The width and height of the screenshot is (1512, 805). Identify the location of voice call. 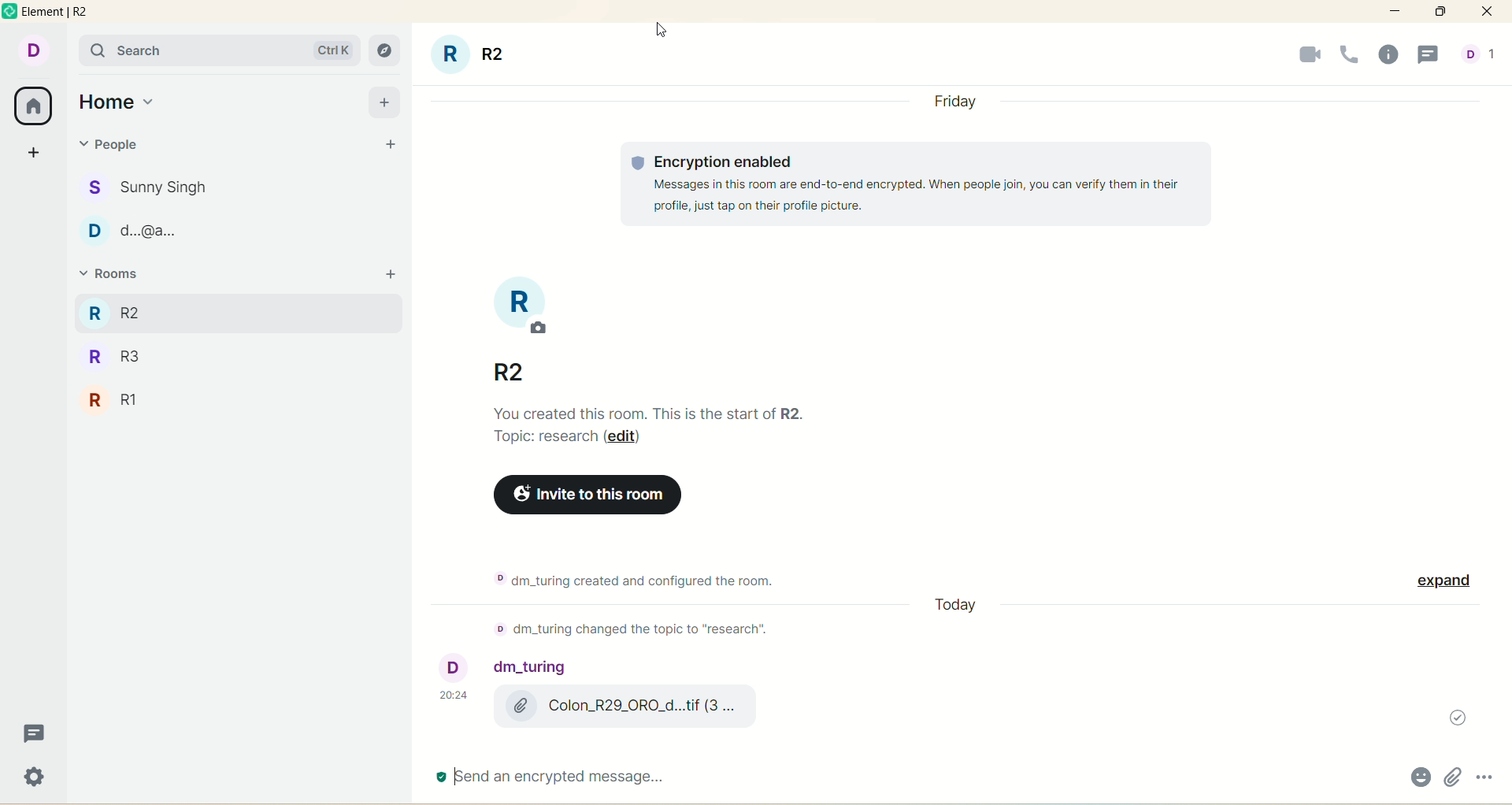
(1354, 54).